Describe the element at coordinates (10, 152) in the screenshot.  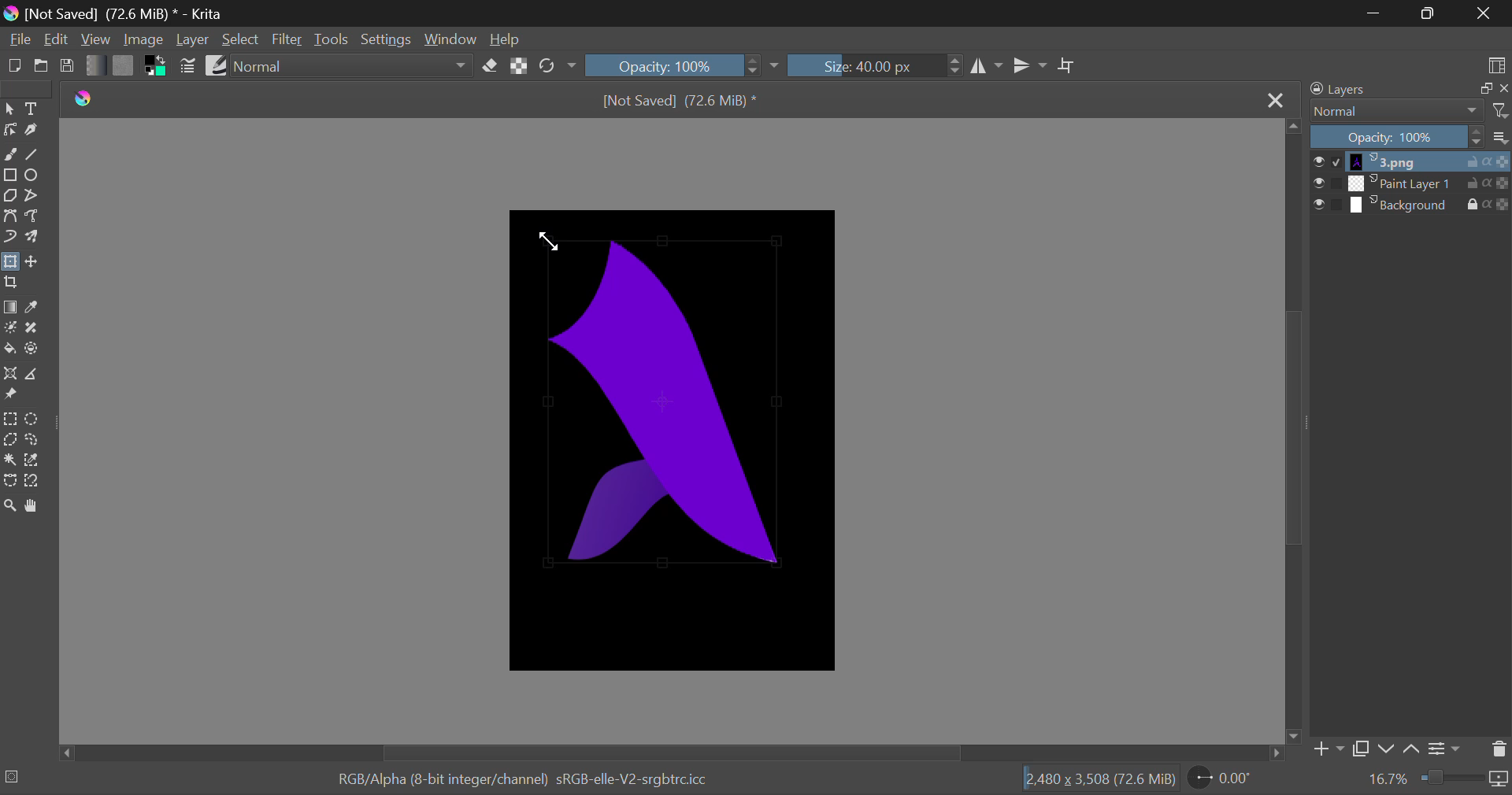
I see `Freehand` at that location.